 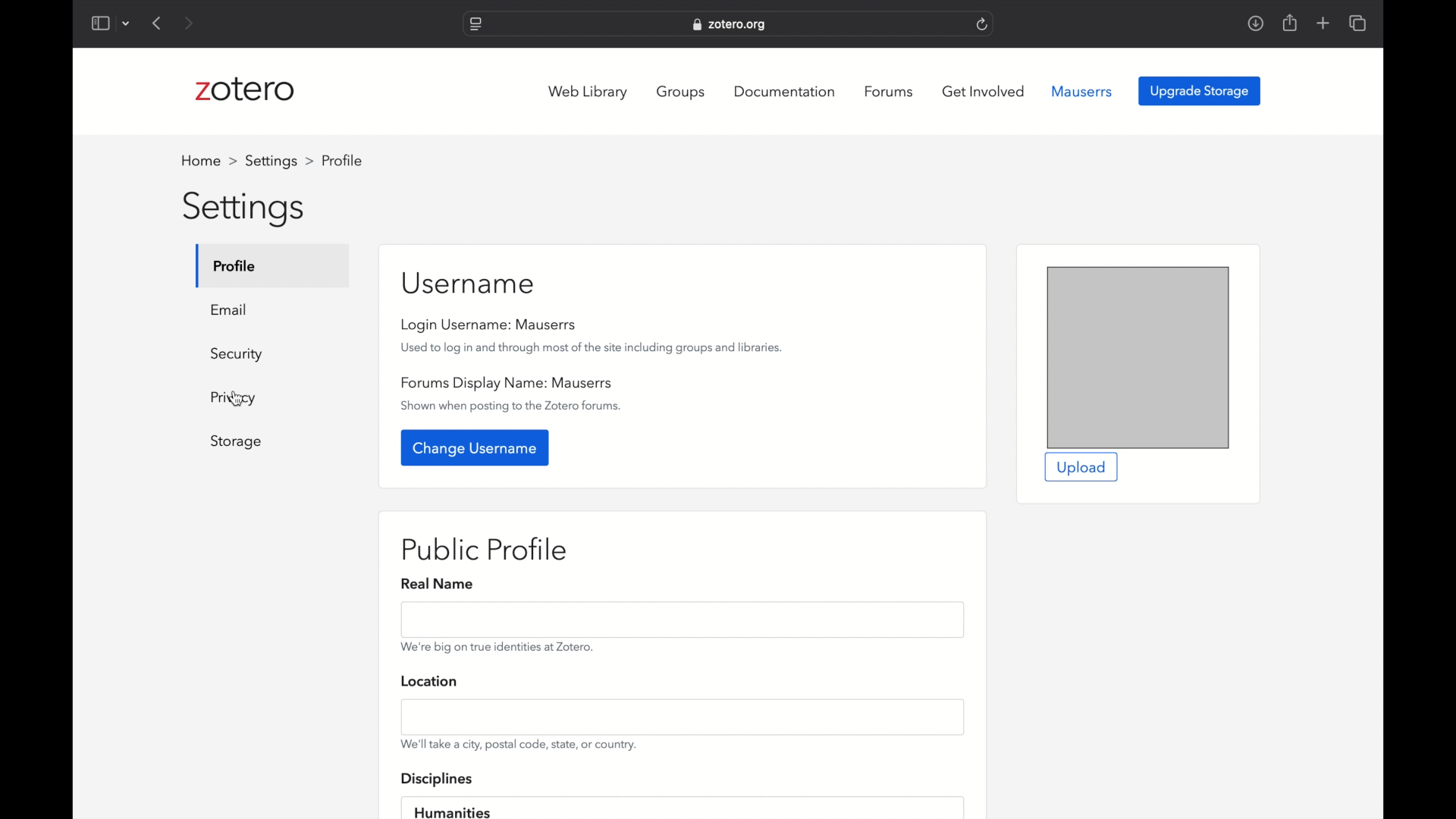 What do you see at coordinates (497, 647) in the screenshot?
I see `we're big on true identities at zotero` at bounding box center [497, 647].